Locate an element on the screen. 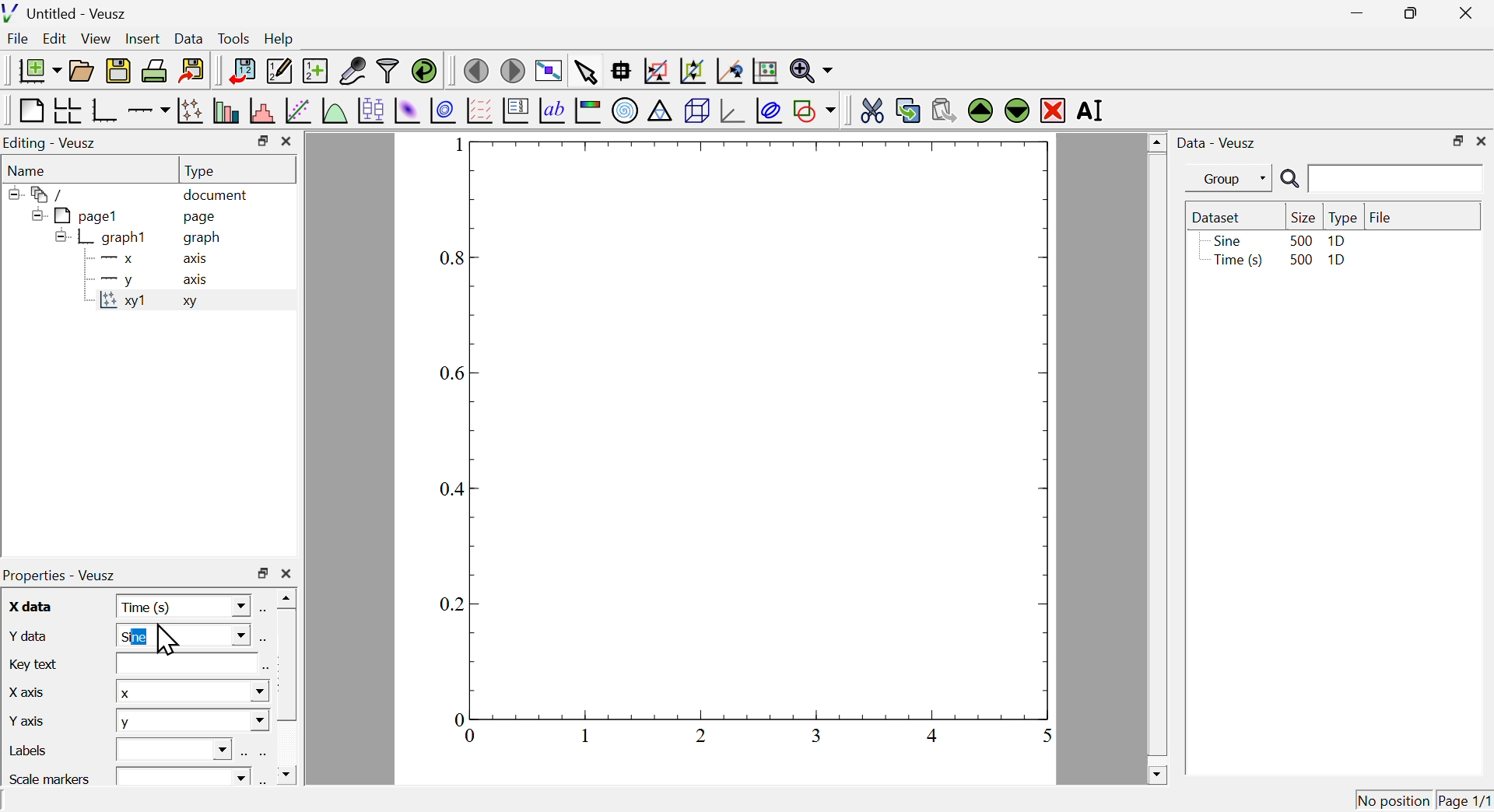  0.6 is located at coordinates (455, 373).